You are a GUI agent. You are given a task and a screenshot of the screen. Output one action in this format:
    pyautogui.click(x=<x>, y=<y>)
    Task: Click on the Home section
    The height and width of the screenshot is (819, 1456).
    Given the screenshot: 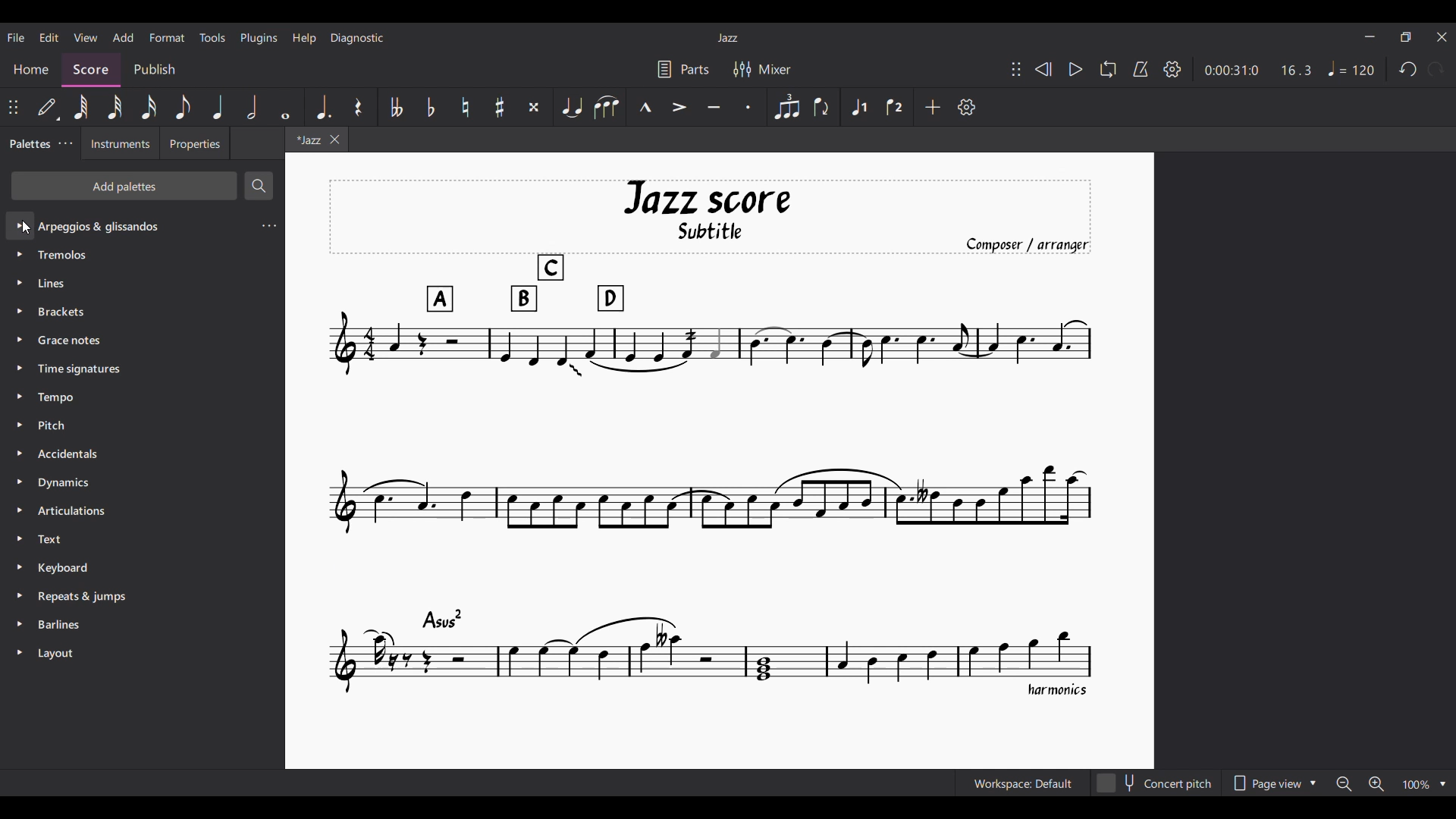 What is the action you would take?
    pyautogui.click(x=31, y=71)
    